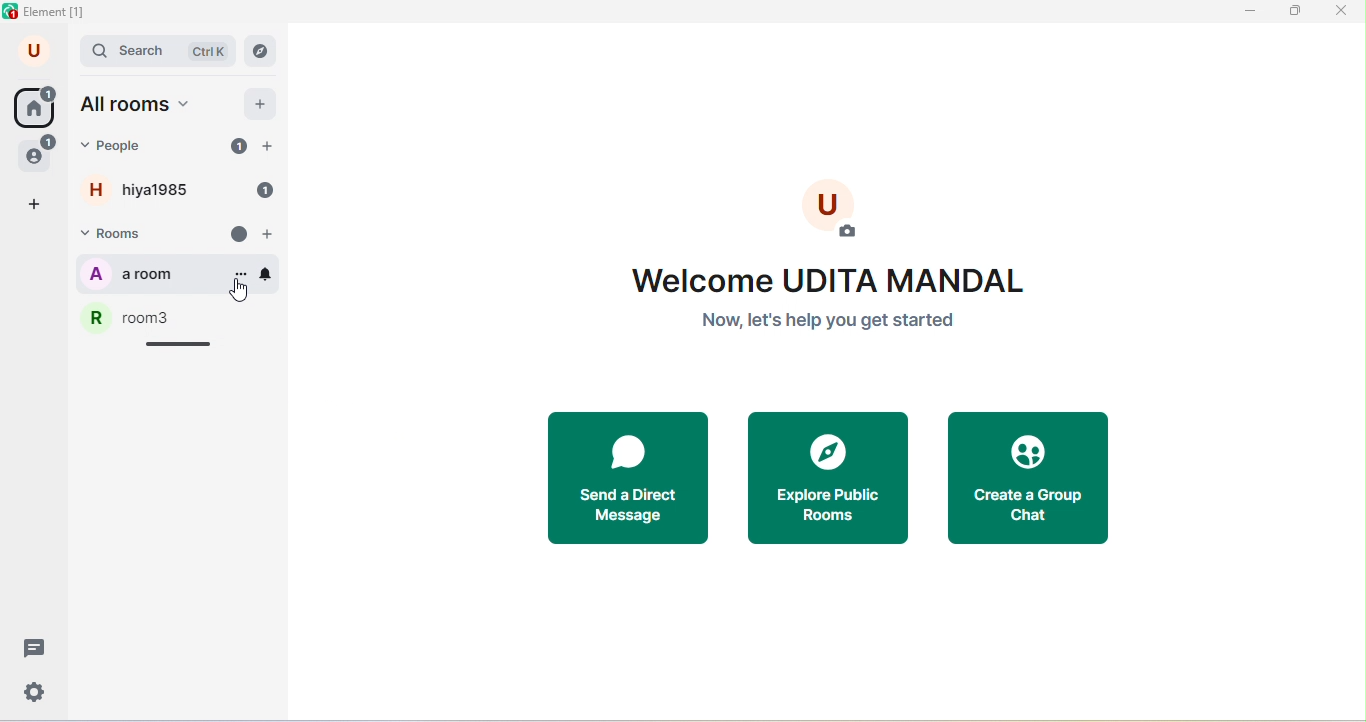 Image resolution: width=1366 pixels, height=722 pixels. Describe the element at coordinates (268, 147) in the screenshot. I see `add people` at that location.